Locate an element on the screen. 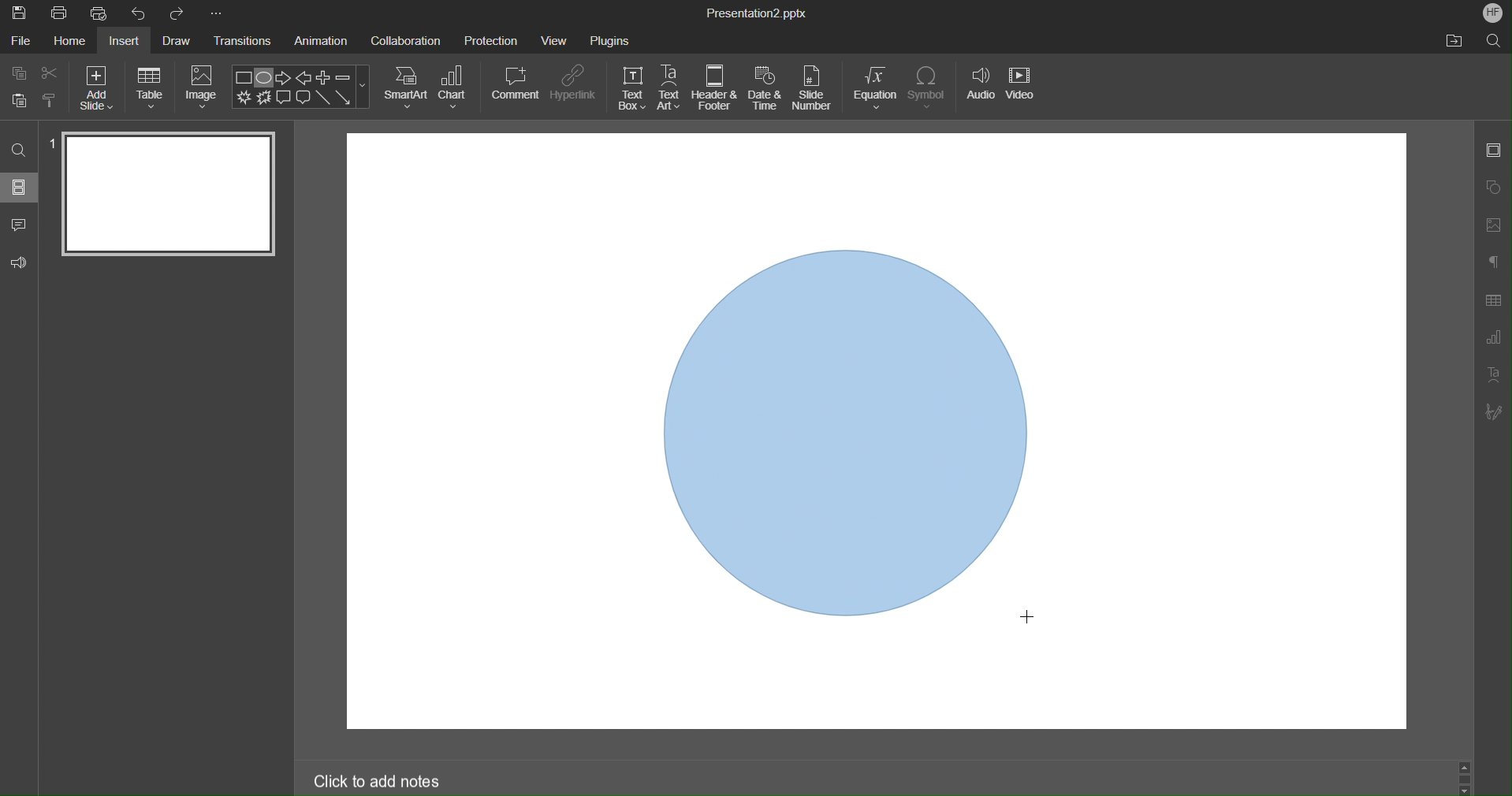 The image size is (1512, 796). Account is located at coordinates (1490, 12).